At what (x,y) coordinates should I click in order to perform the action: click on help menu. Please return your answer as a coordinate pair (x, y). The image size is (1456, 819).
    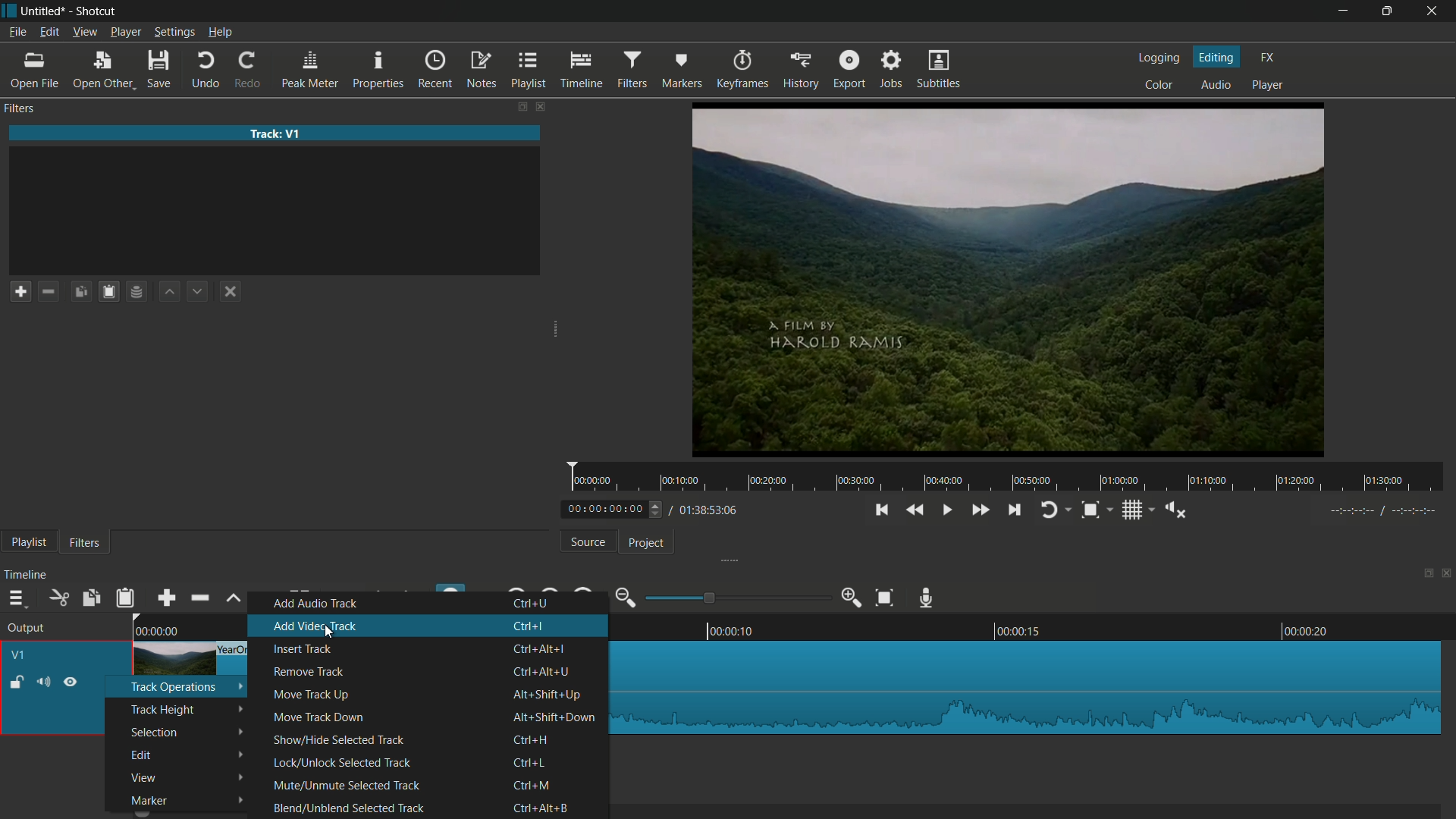
    Looking at the image, I should click on (220, 32).